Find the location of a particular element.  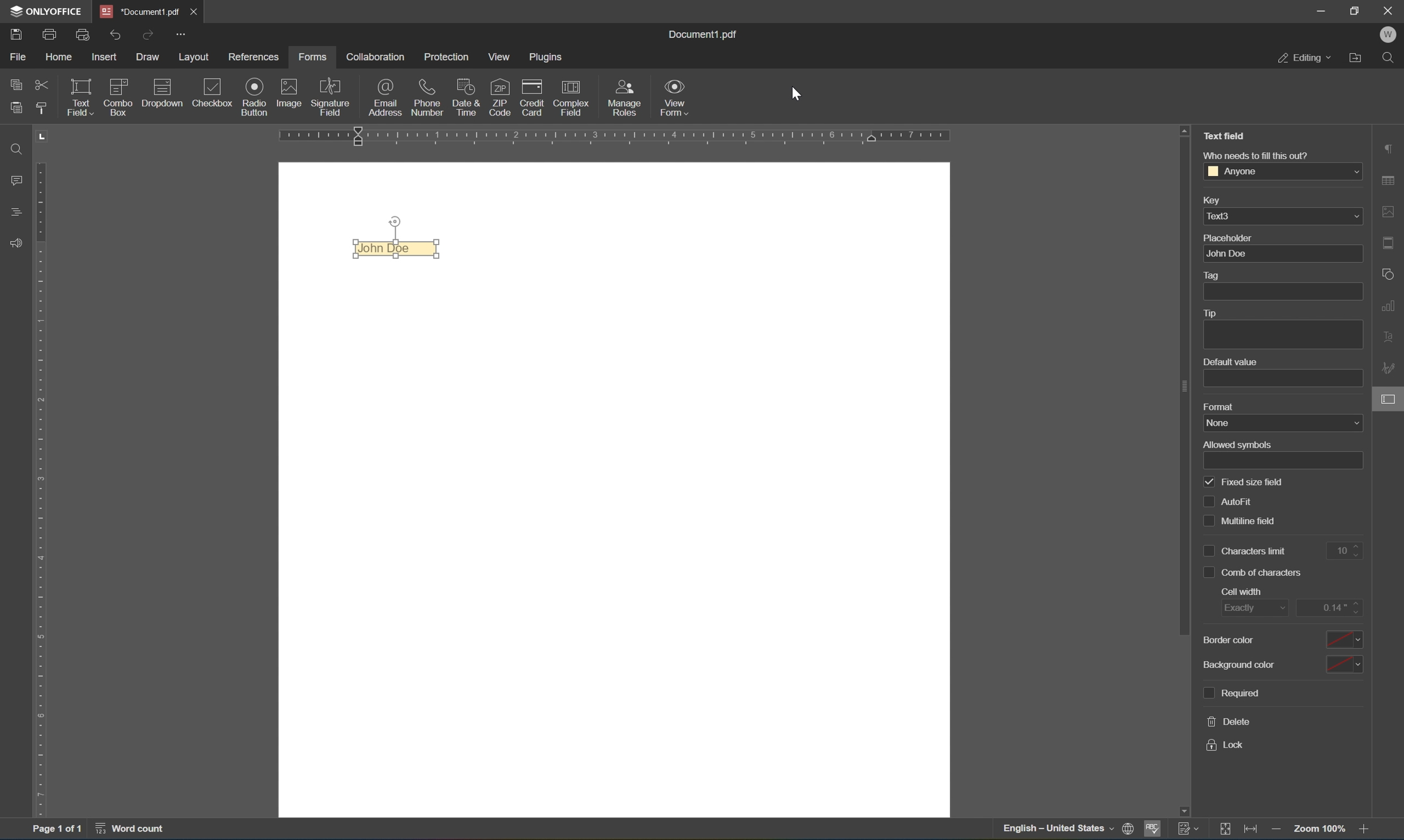

quick print is located at coordinates (83, 35).